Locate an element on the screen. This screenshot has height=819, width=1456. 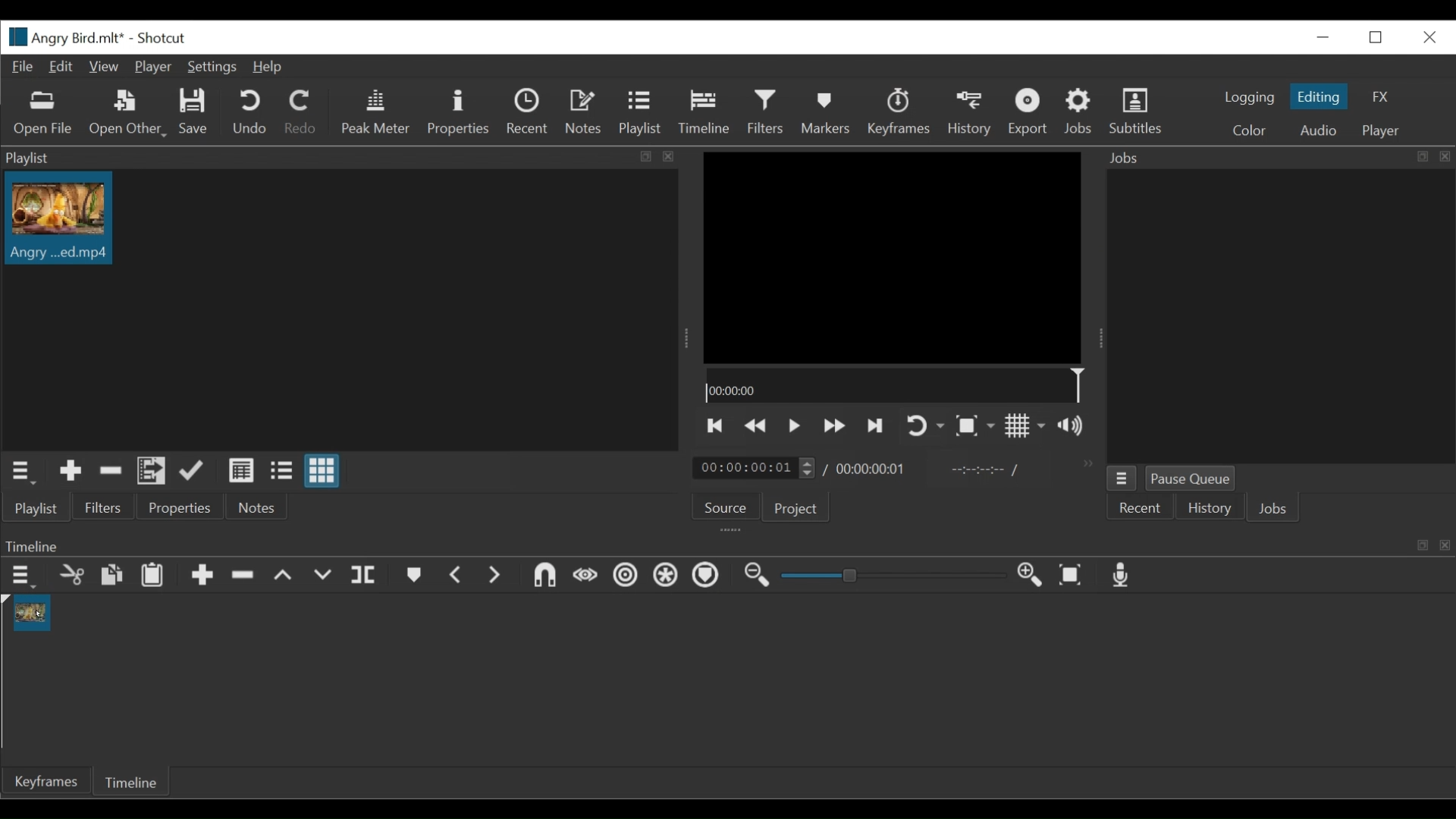
Timeline Panel is located at coordinates (729, 544).